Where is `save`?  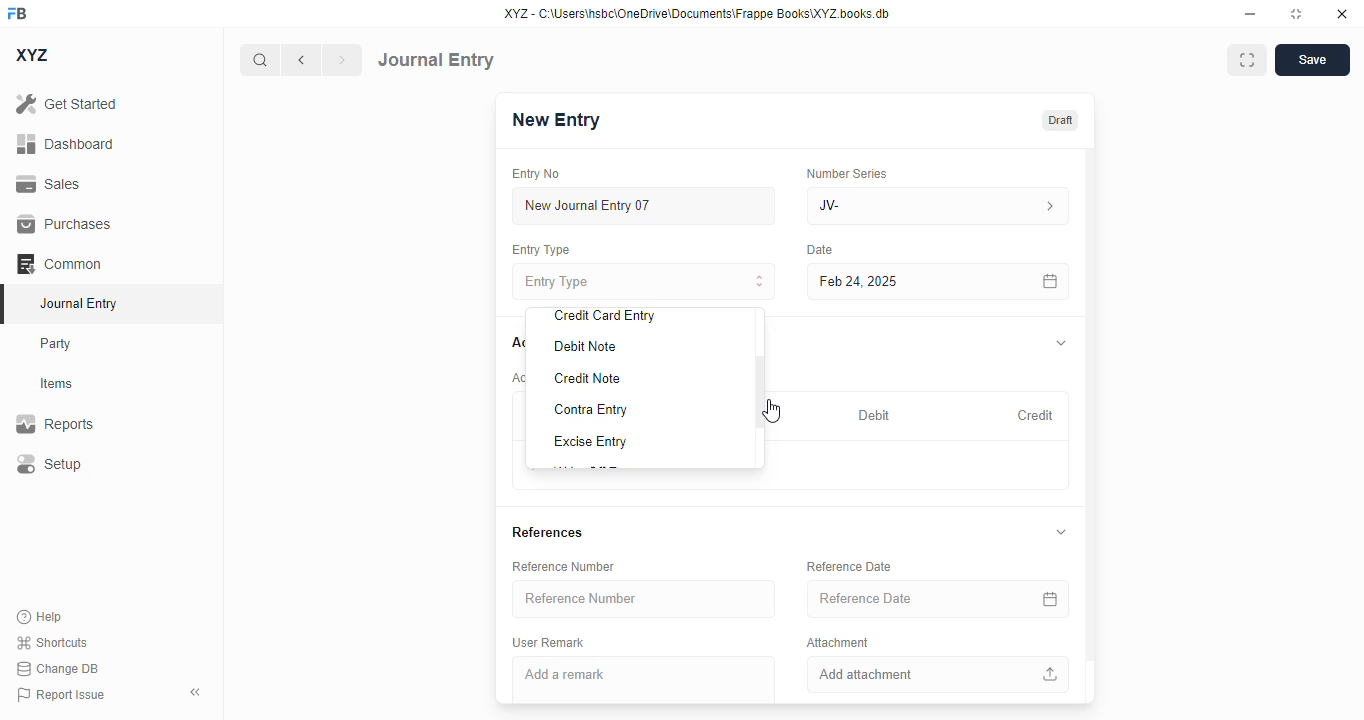 save is located at coordinates (1312, 60).